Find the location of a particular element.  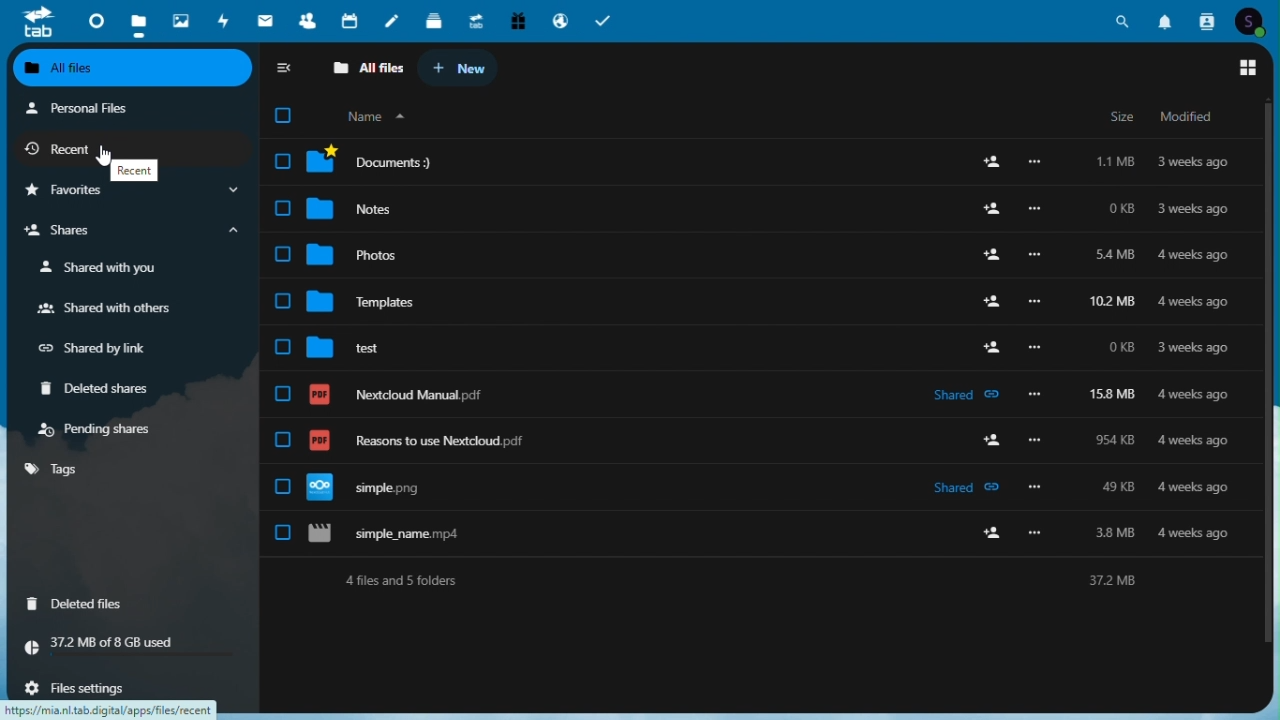

notes is located at coordinates (391, 22).